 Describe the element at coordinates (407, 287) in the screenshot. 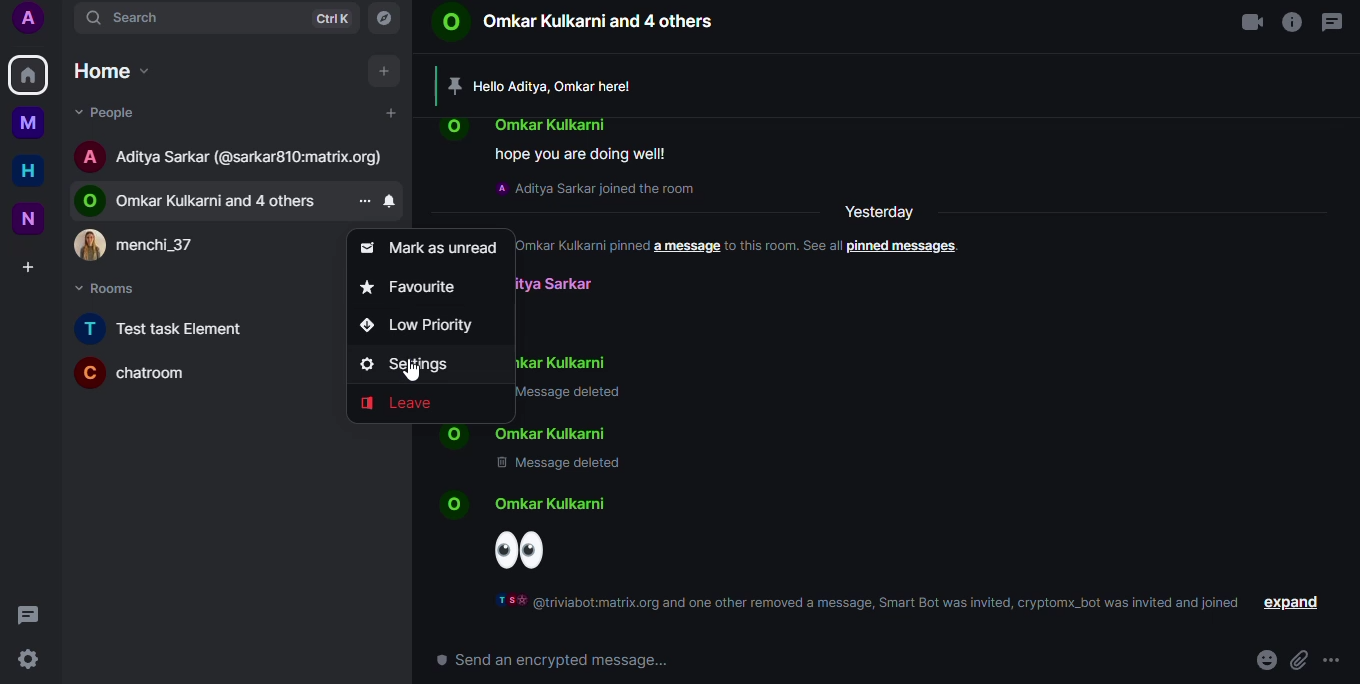

I see `favorite` at that location.